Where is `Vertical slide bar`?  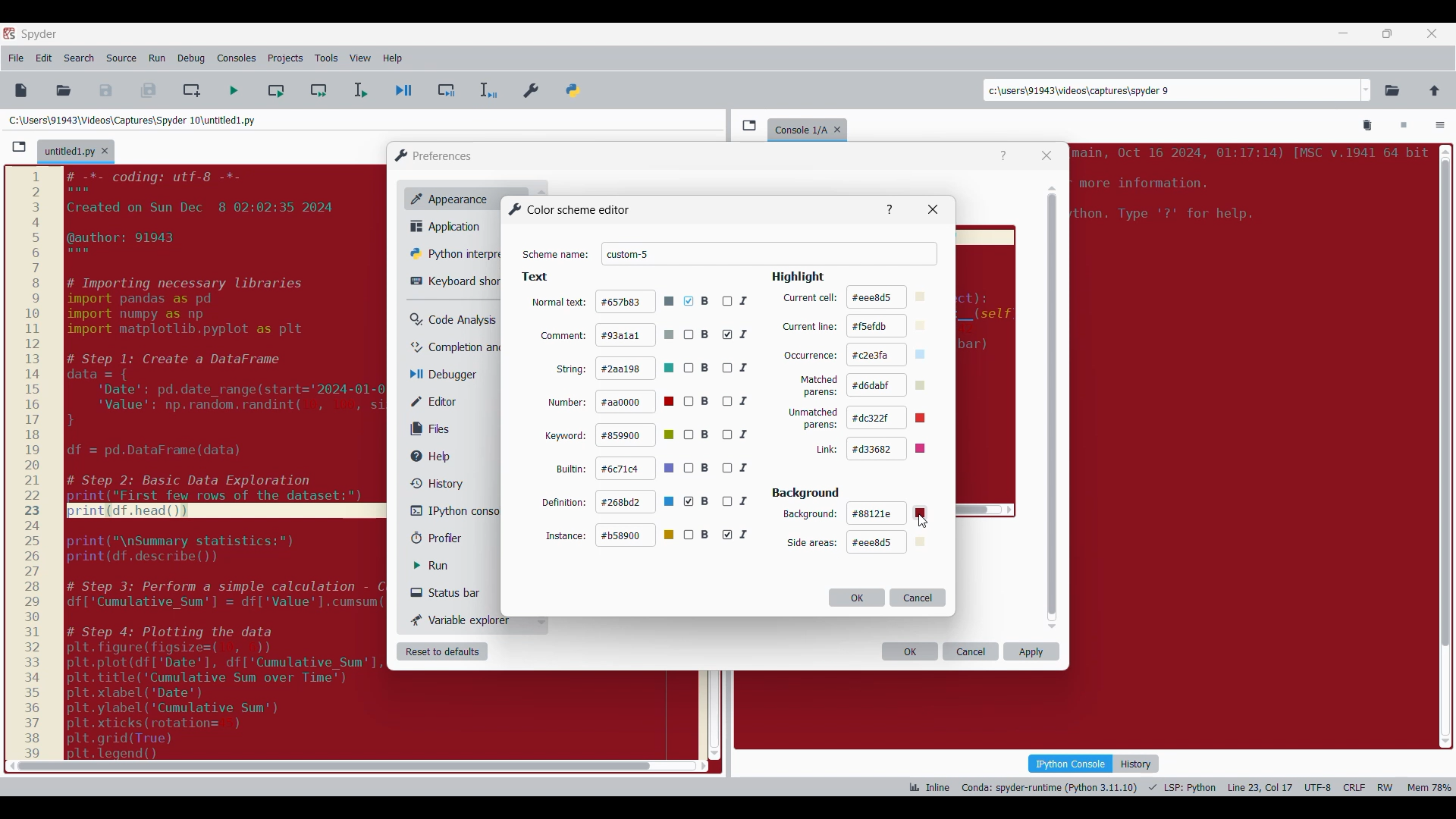 Vertical slide bar is located at coordinates (1053, 407).